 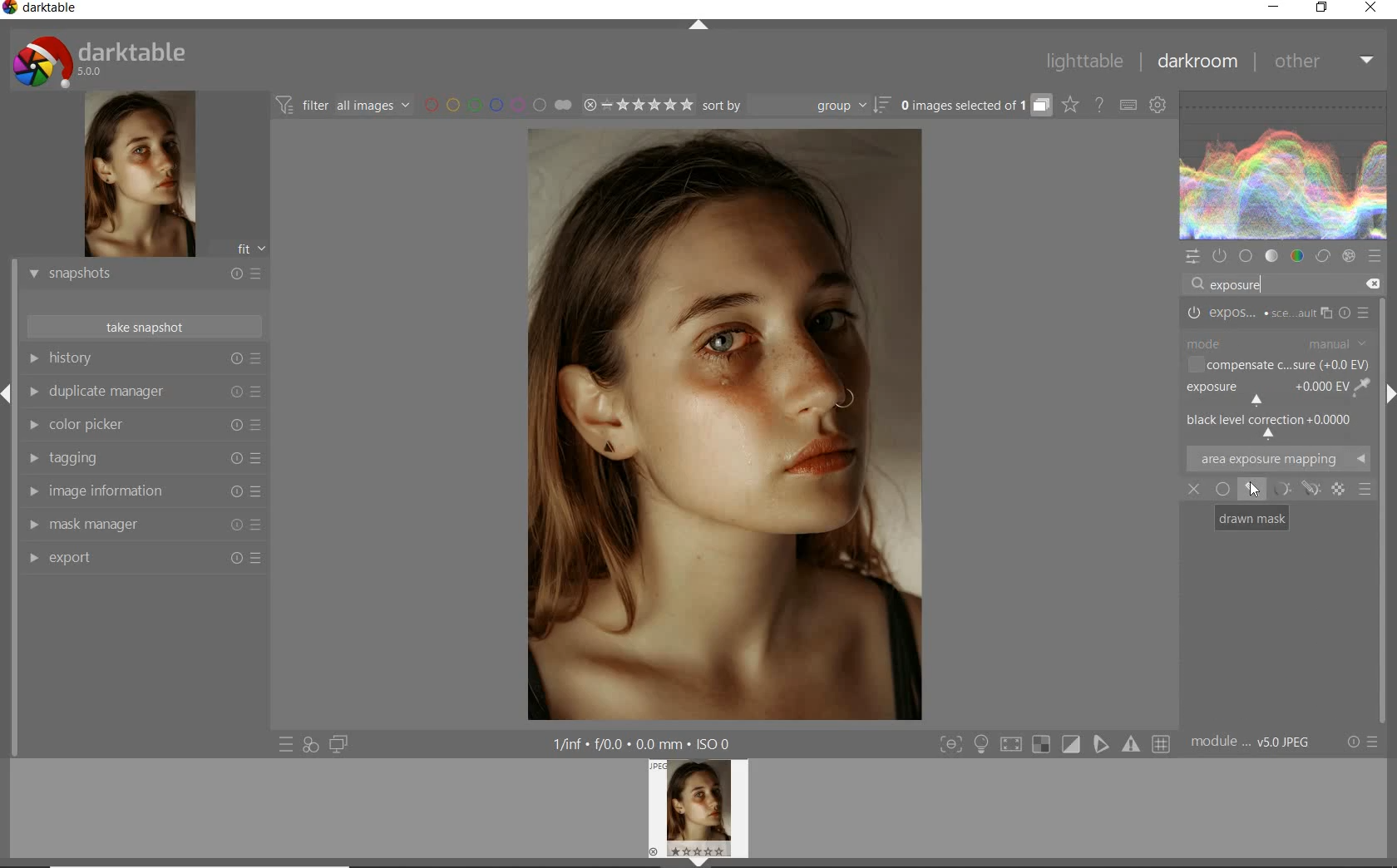 What do you see at coordinates (1255, 491) in the screenshot?
I see `CURSOR POSITION` at bounding box center [1255, 491].